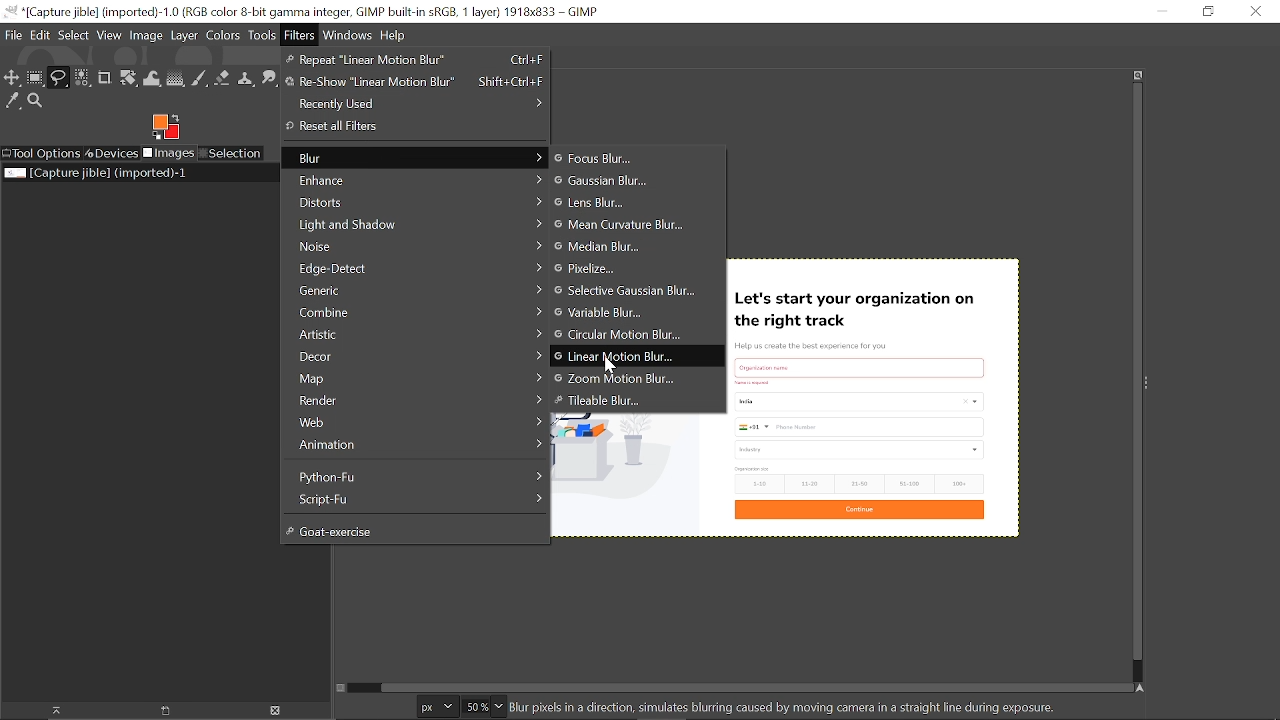 The height and width of the screenshot is (720, 1280). I want to click on Focus blur, so click(615, 158).